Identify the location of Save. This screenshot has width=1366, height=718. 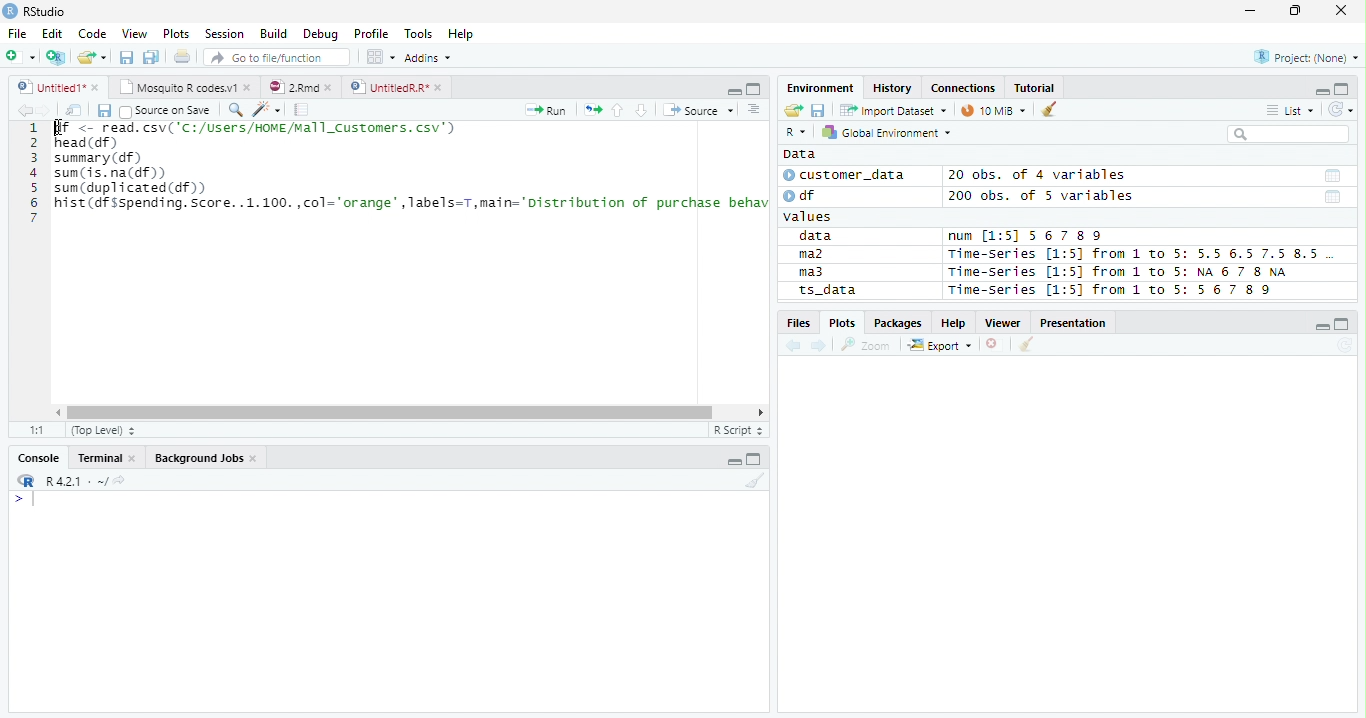
(103, 110).